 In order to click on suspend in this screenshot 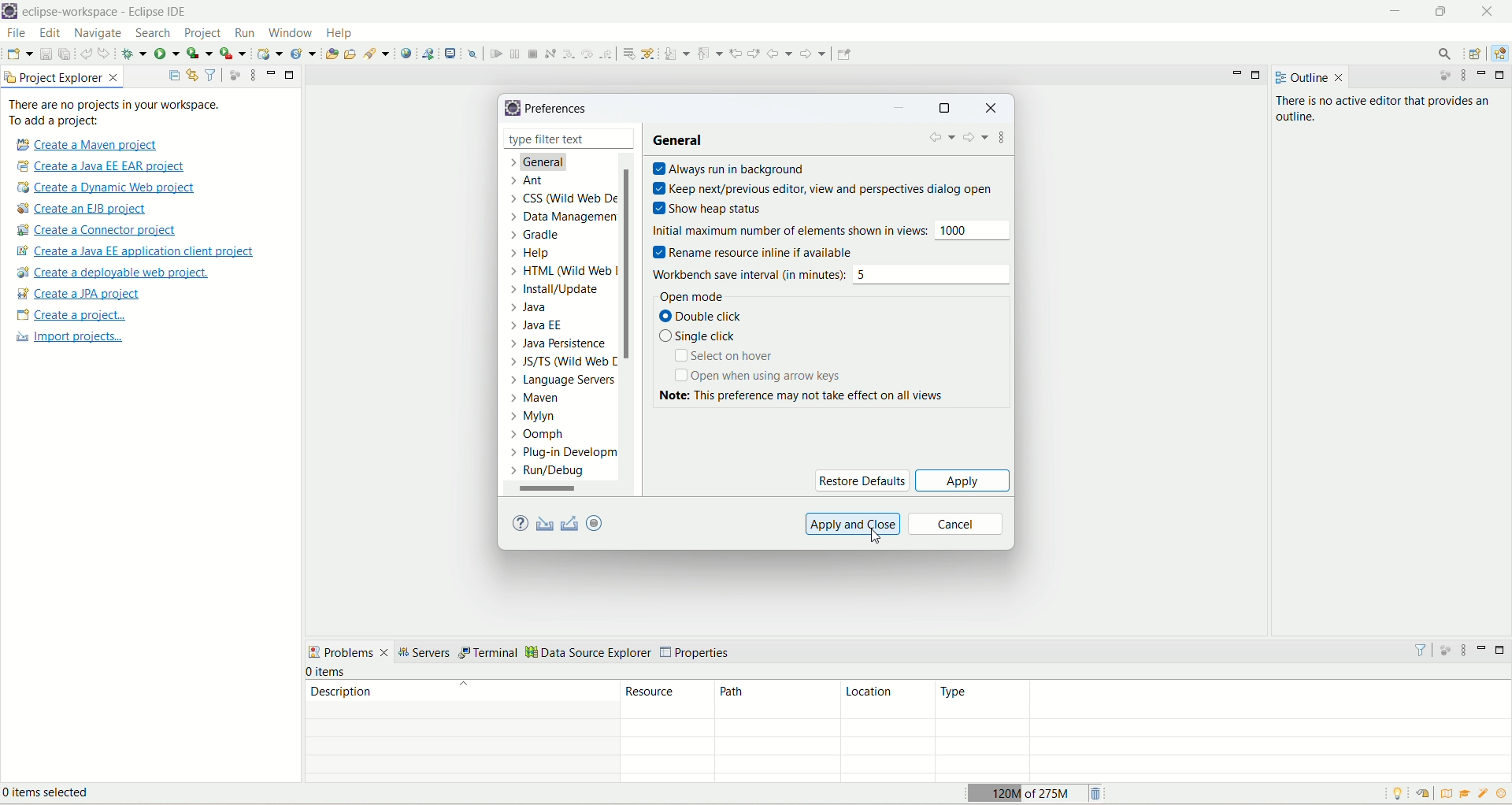, I will do `click(513, 52)`.